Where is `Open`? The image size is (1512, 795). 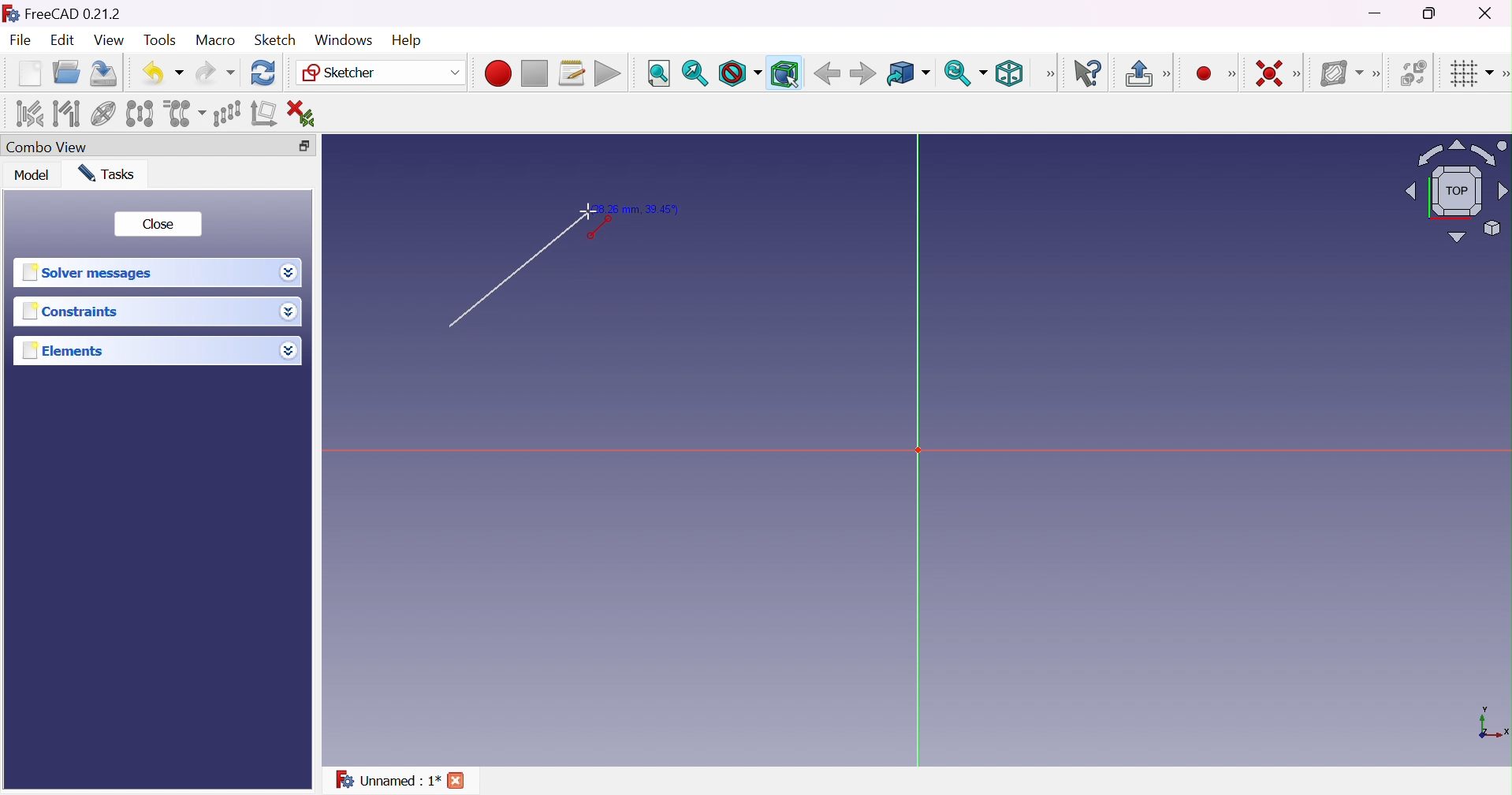
Open is located at coordinates (69, 72).